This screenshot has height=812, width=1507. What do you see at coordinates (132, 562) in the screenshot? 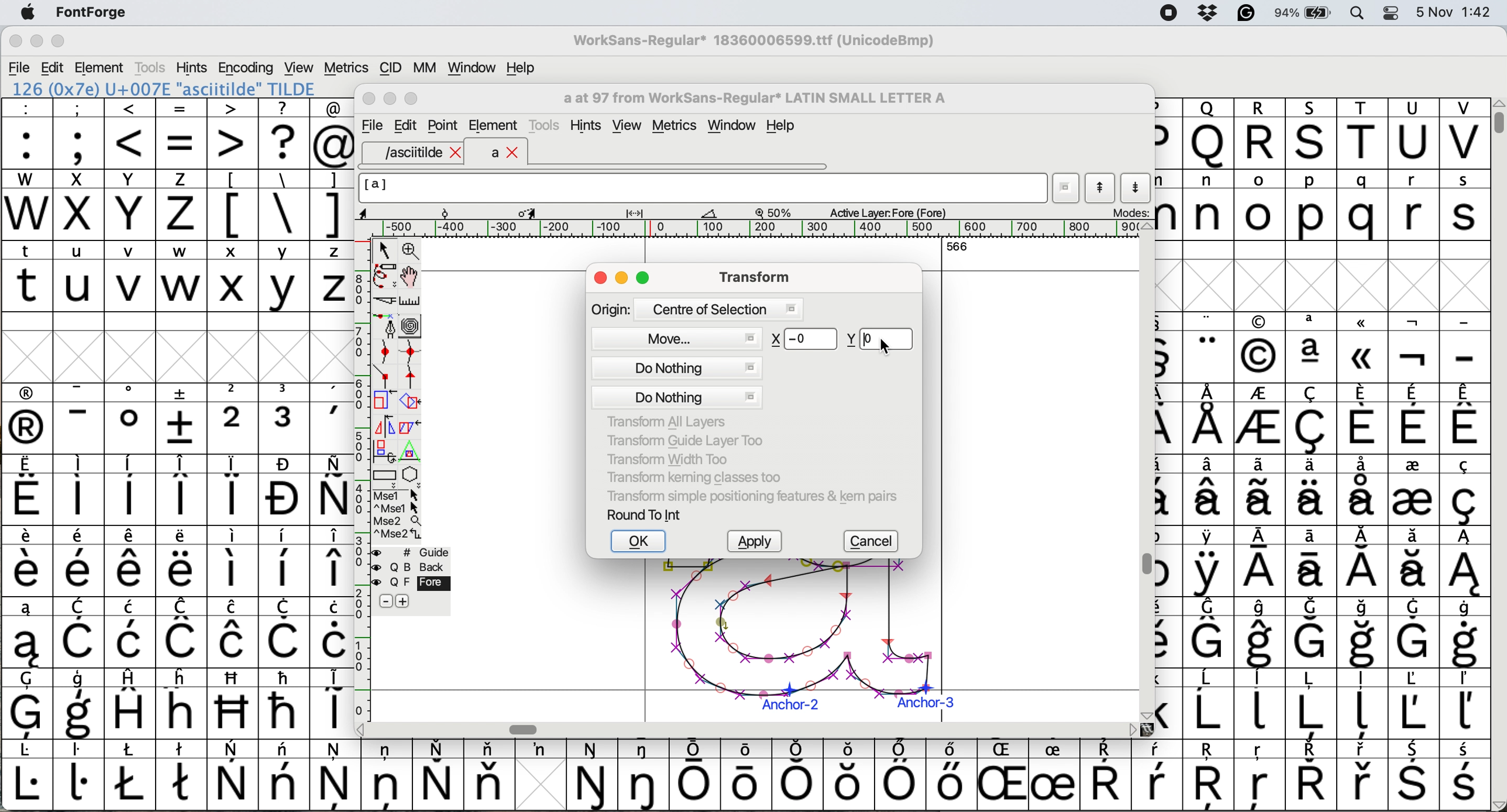
I see `symbol` at bounding box center [132, 562].